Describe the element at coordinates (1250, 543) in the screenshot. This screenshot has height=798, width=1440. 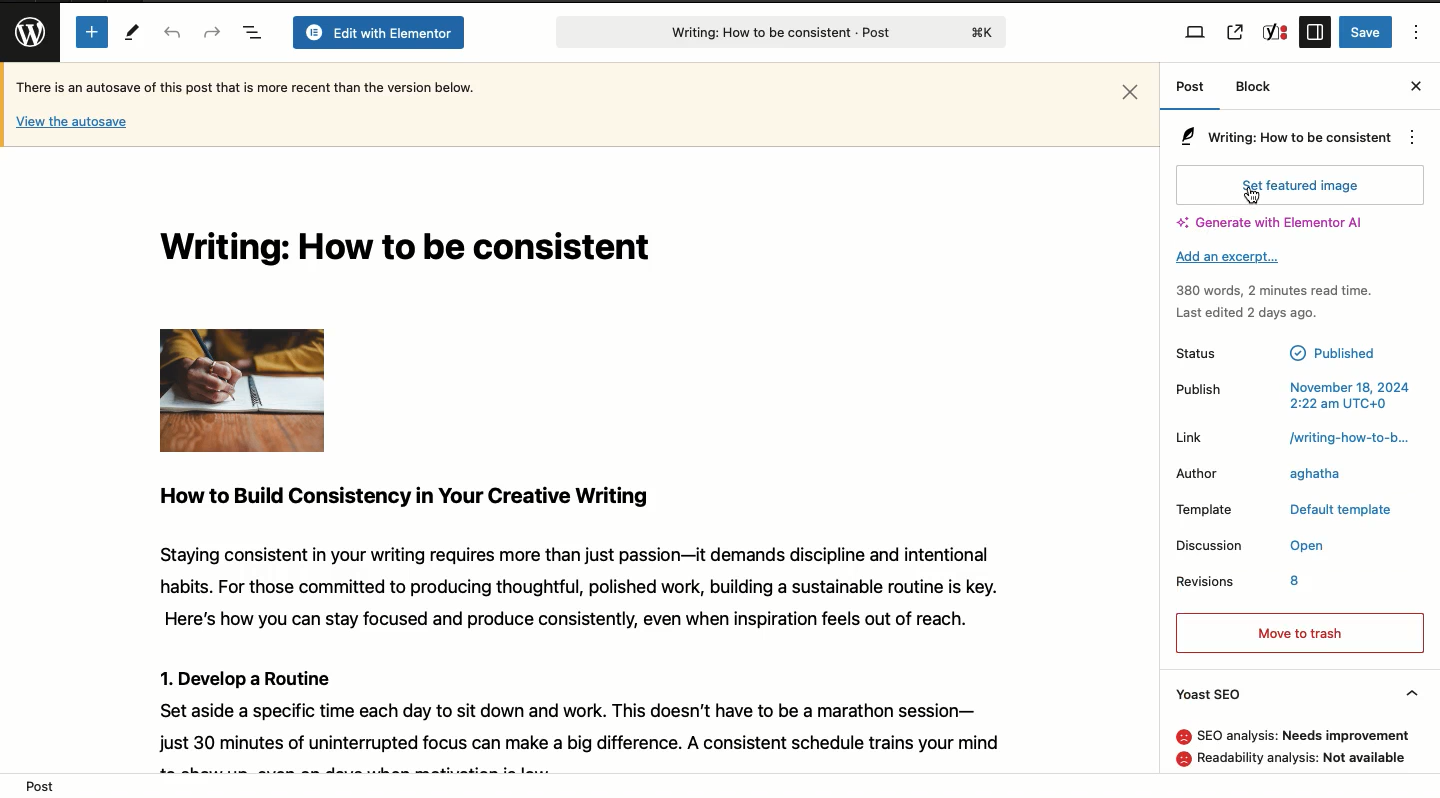
I see `Discussion Open` at that location.